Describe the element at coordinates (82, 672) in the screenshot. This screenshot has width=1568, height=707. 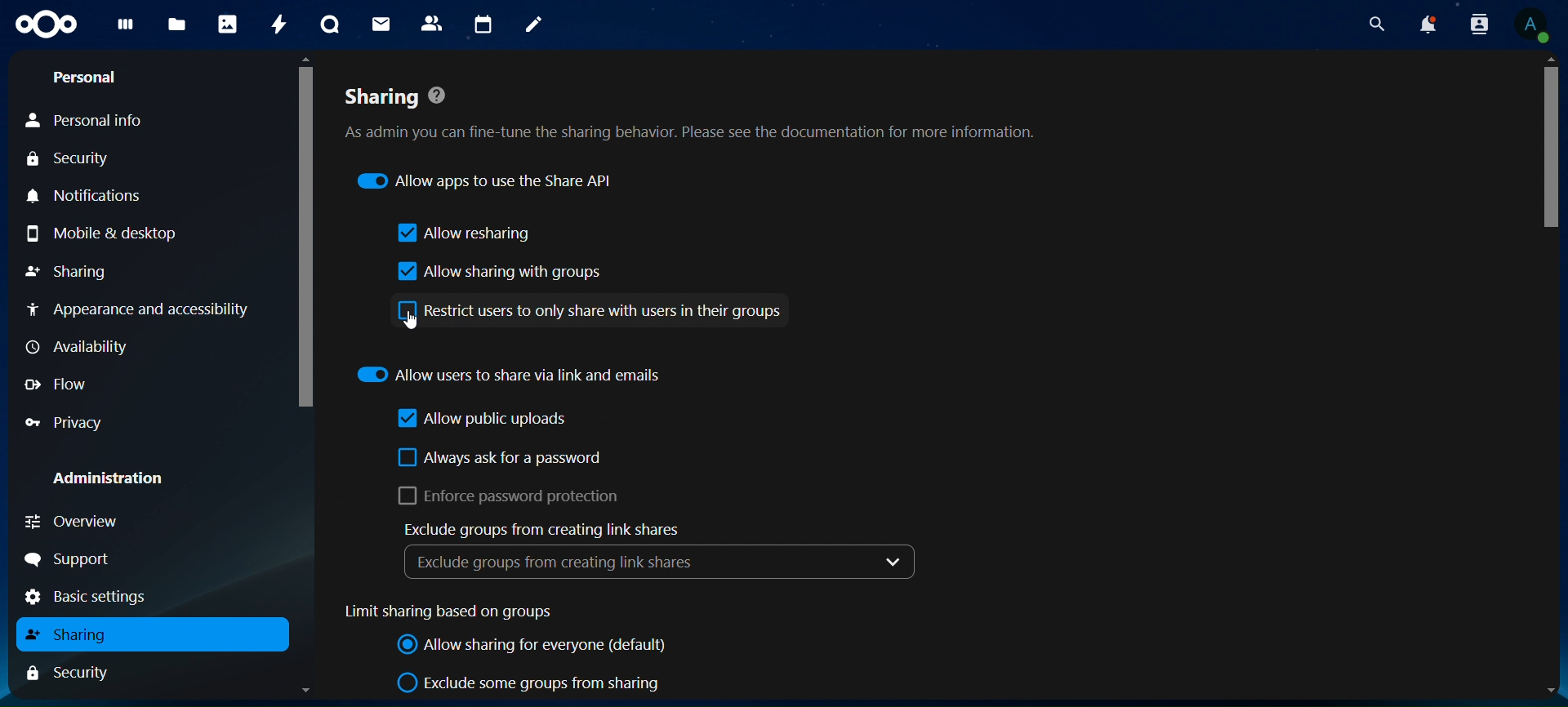
I see `security` at that location.